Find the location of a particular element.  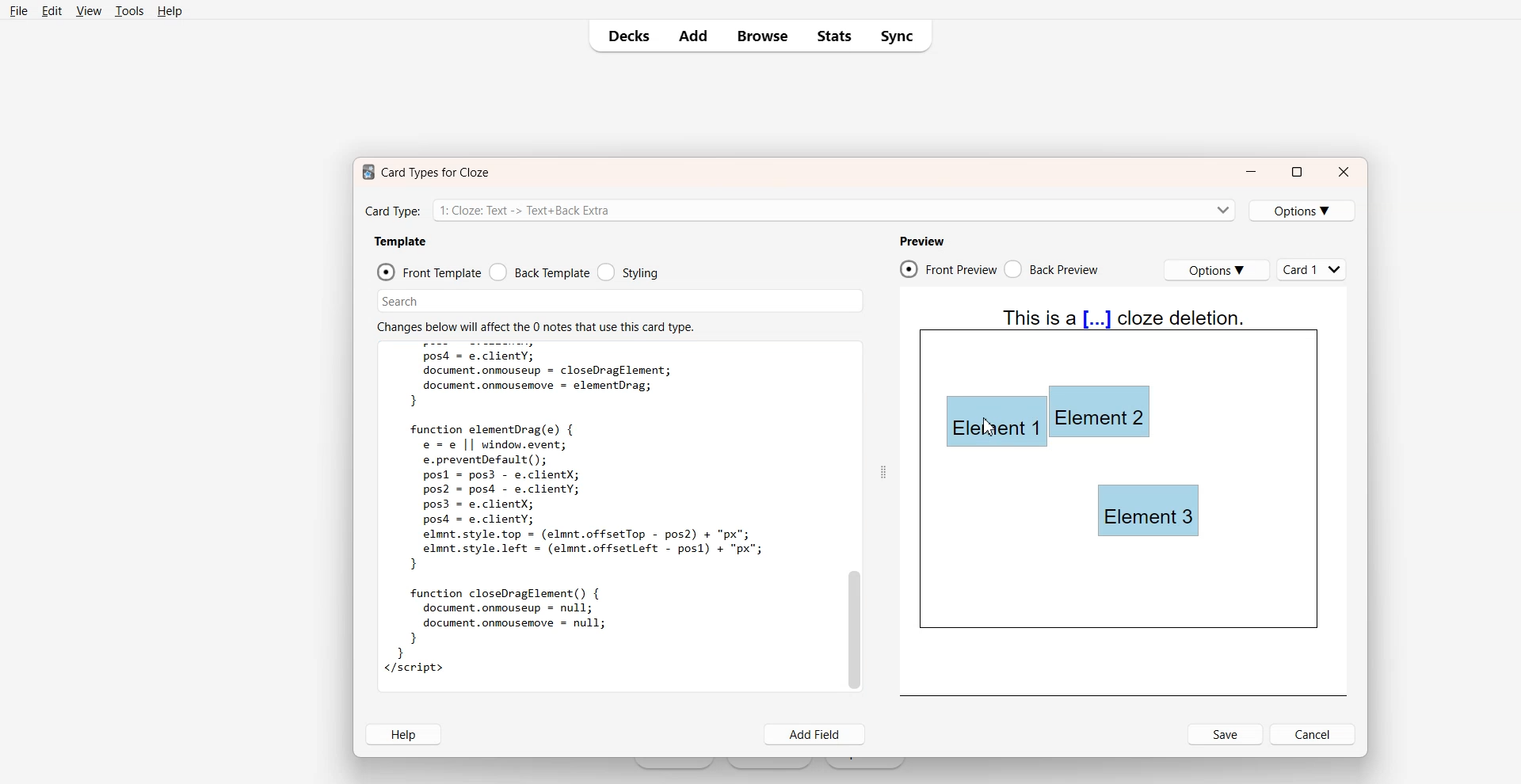

Back Preview is located at coordinates (1054, 269).